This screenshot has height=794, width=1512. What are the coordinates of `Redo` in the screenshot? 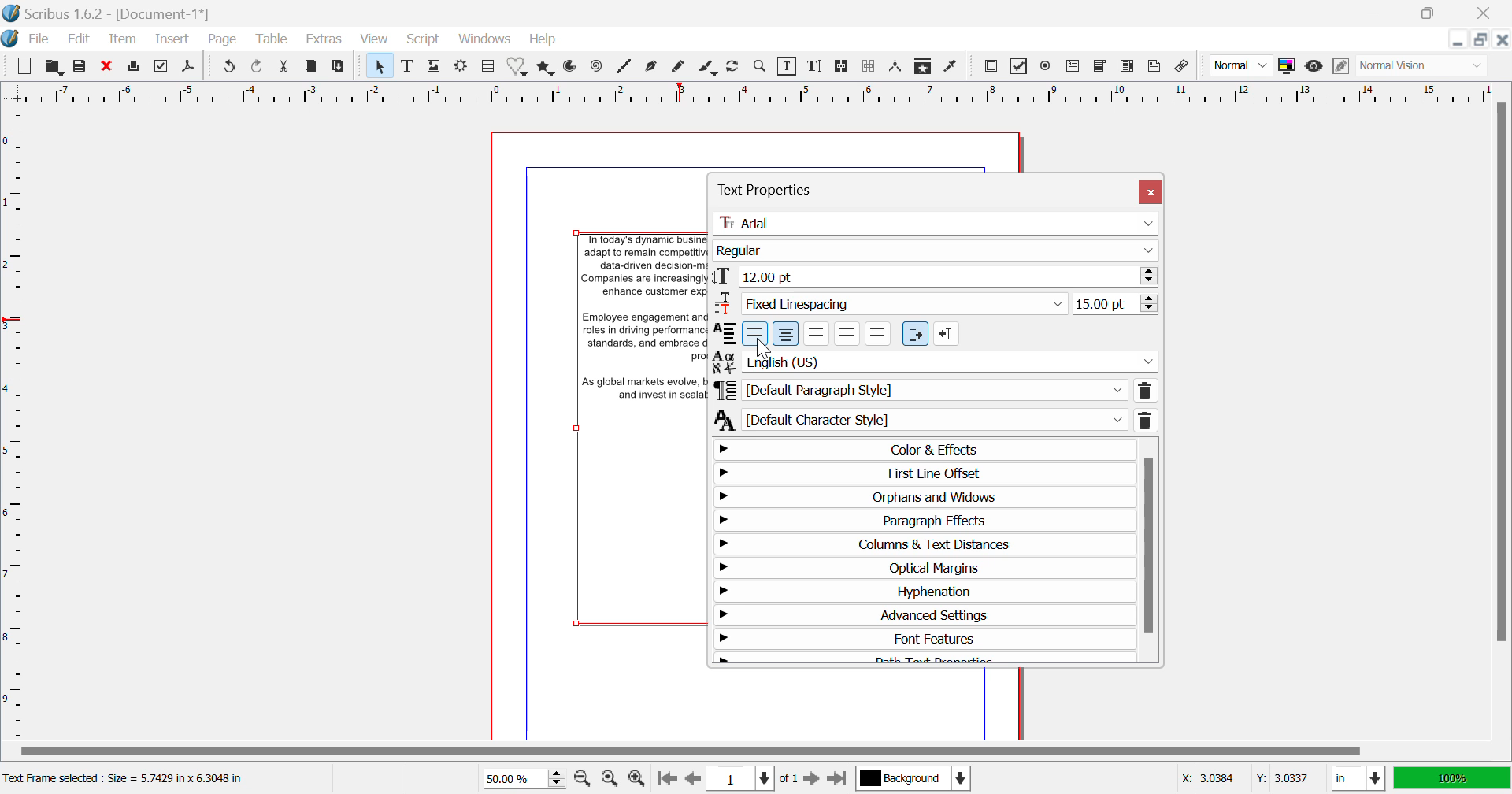 It's located at (232, 66).